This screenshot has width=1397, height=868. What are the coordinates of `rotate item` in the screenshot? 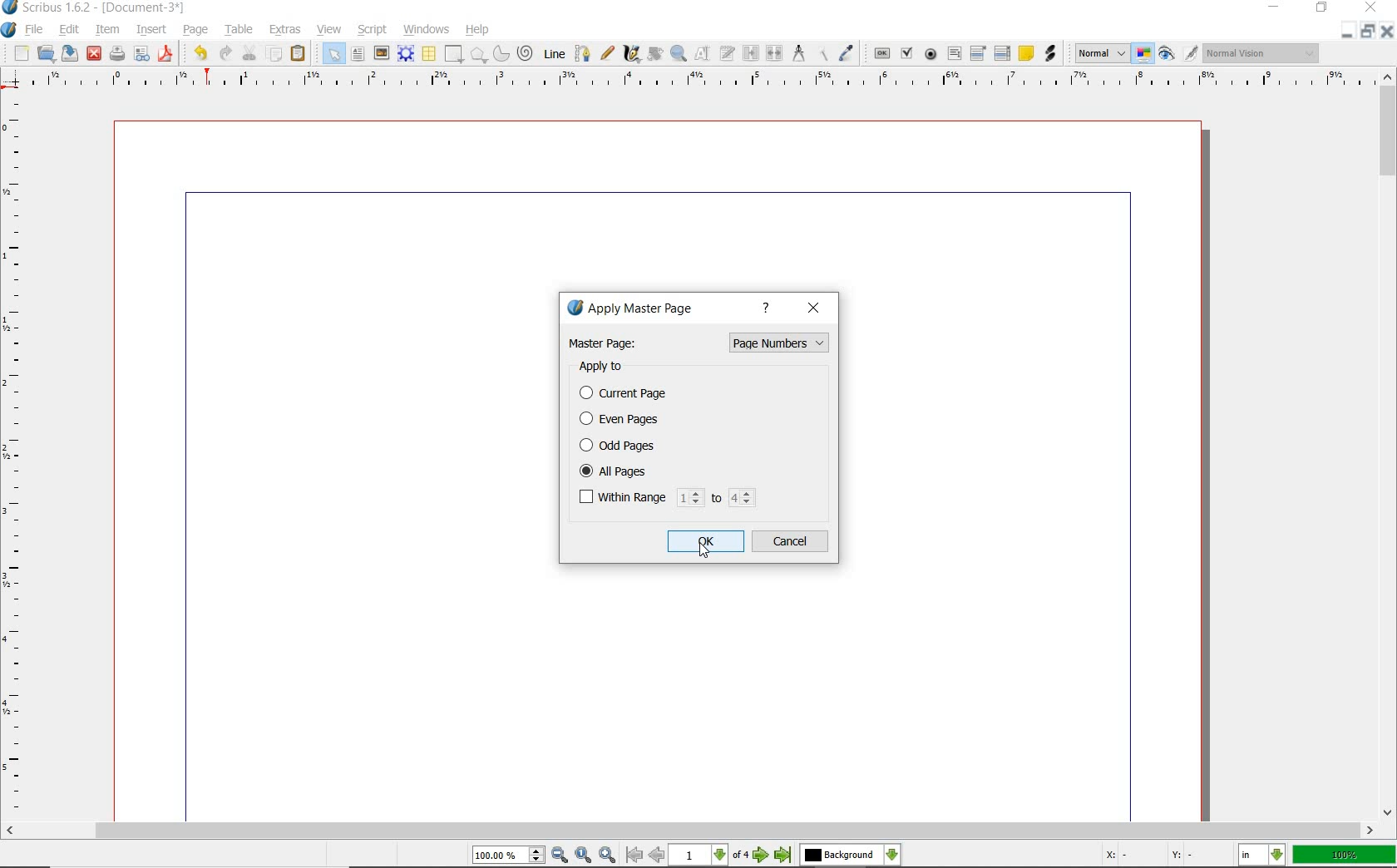 It's located at (654, 53).